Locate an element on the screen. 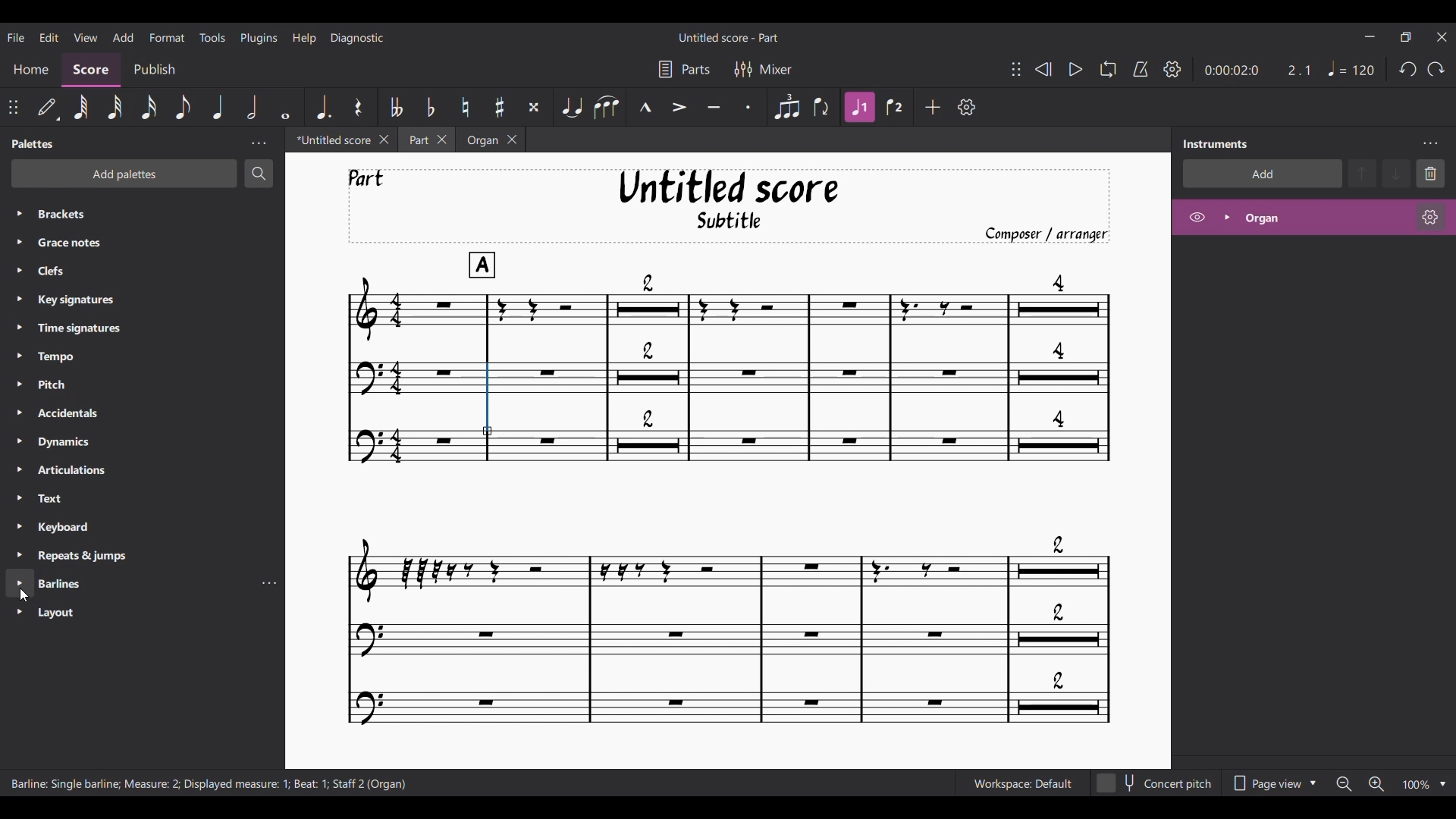 The image size is (1456, 819). Plugins menu is located at coordinates (259, 37).